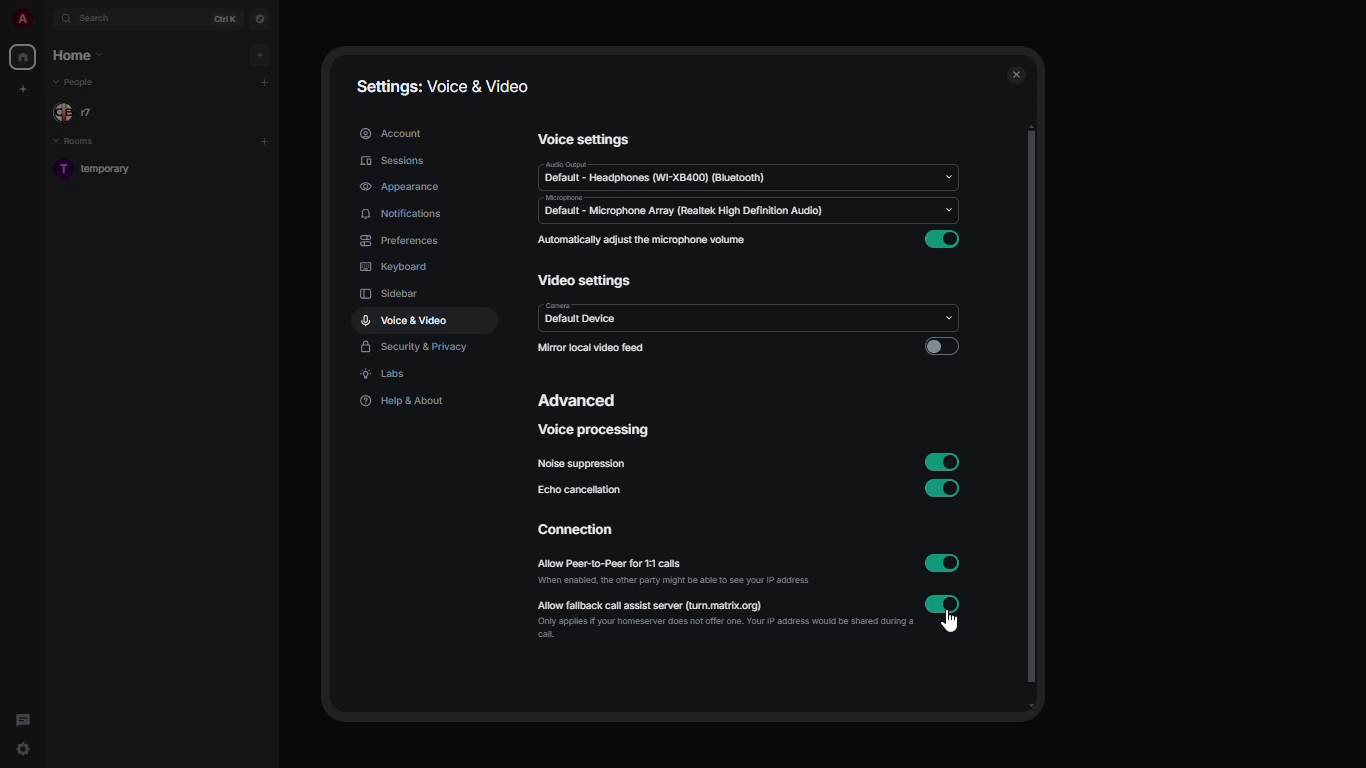 The height and width of the screenshot is (768, 1366). What do you see at coordinates (46, 20) in the screenshot?
I see `expand` at bounding box center [46, 20].